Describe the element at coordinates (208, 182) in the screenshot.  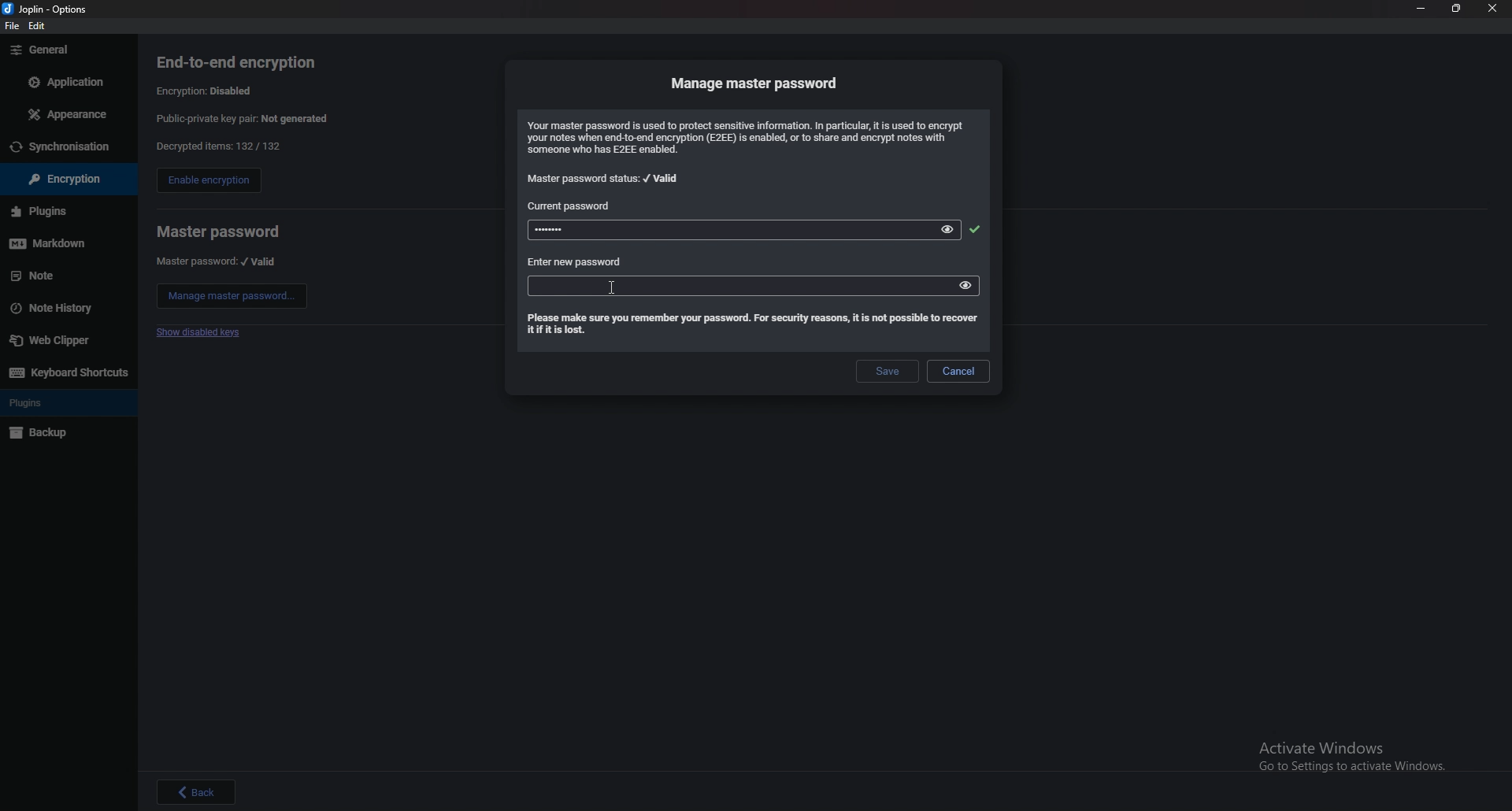
I see `enable encryption` at that location.